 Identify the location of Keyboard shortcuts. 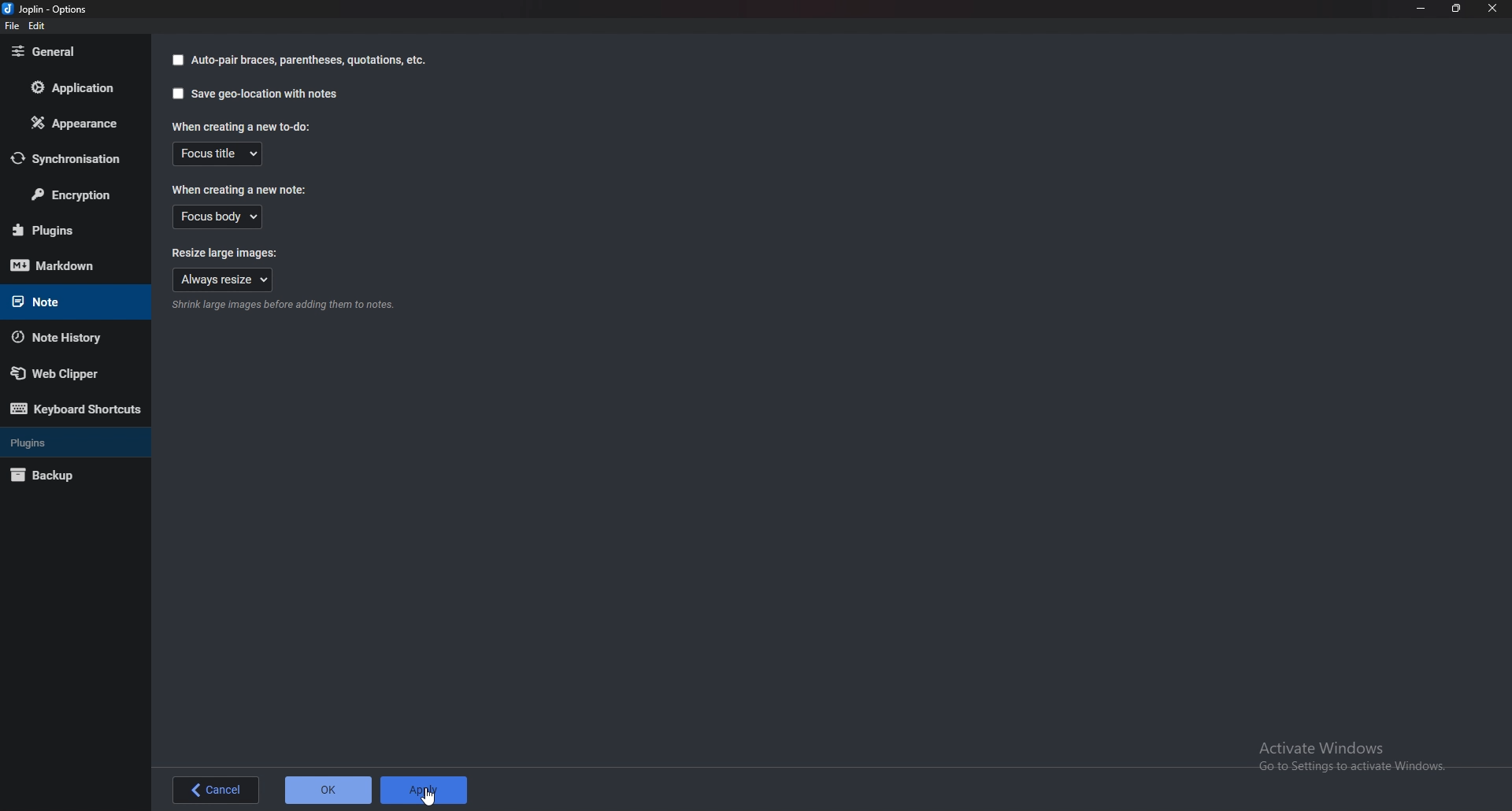
(76, 409).